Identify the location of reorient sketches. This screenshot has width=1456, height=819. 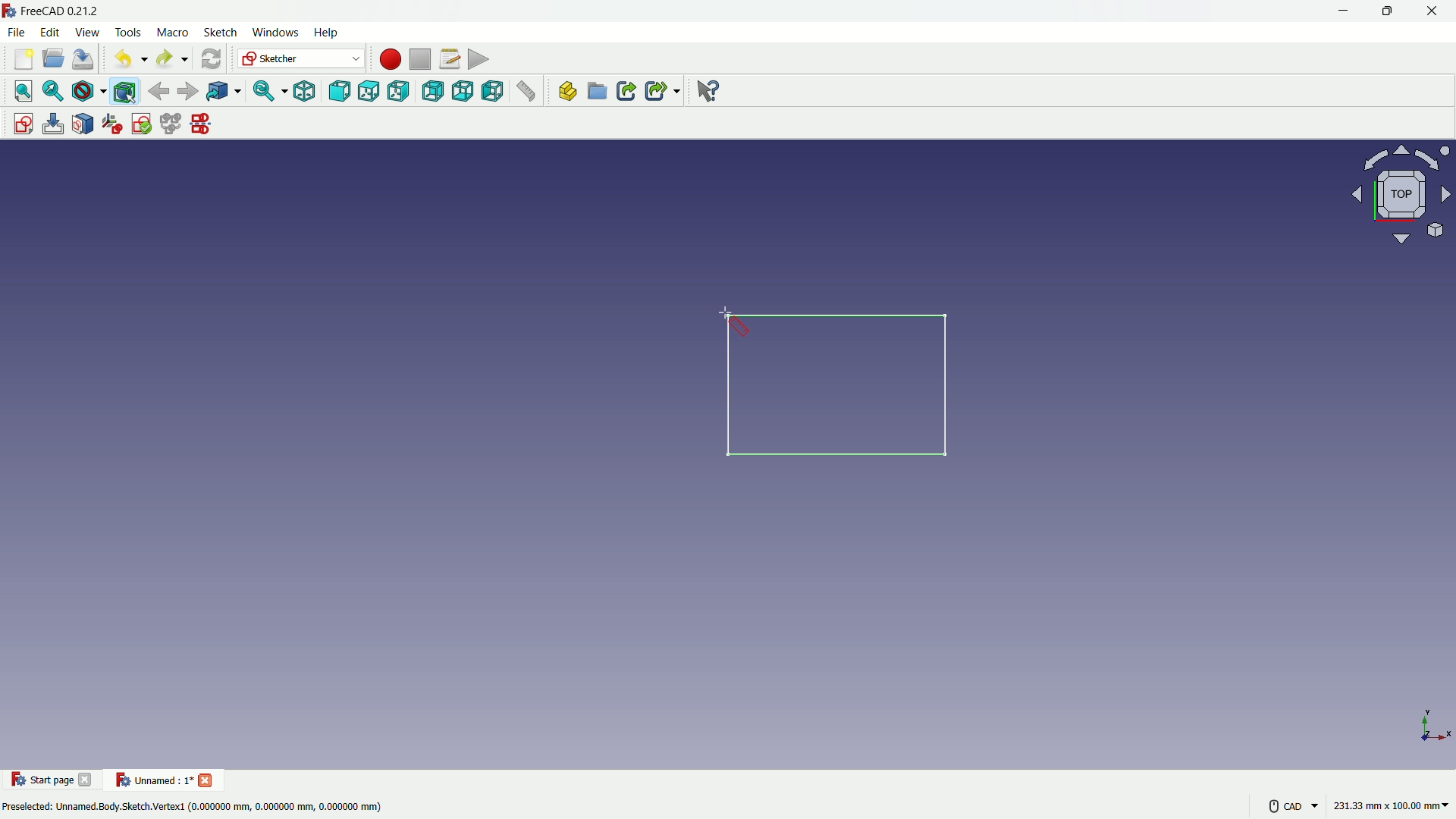
(115, 124).